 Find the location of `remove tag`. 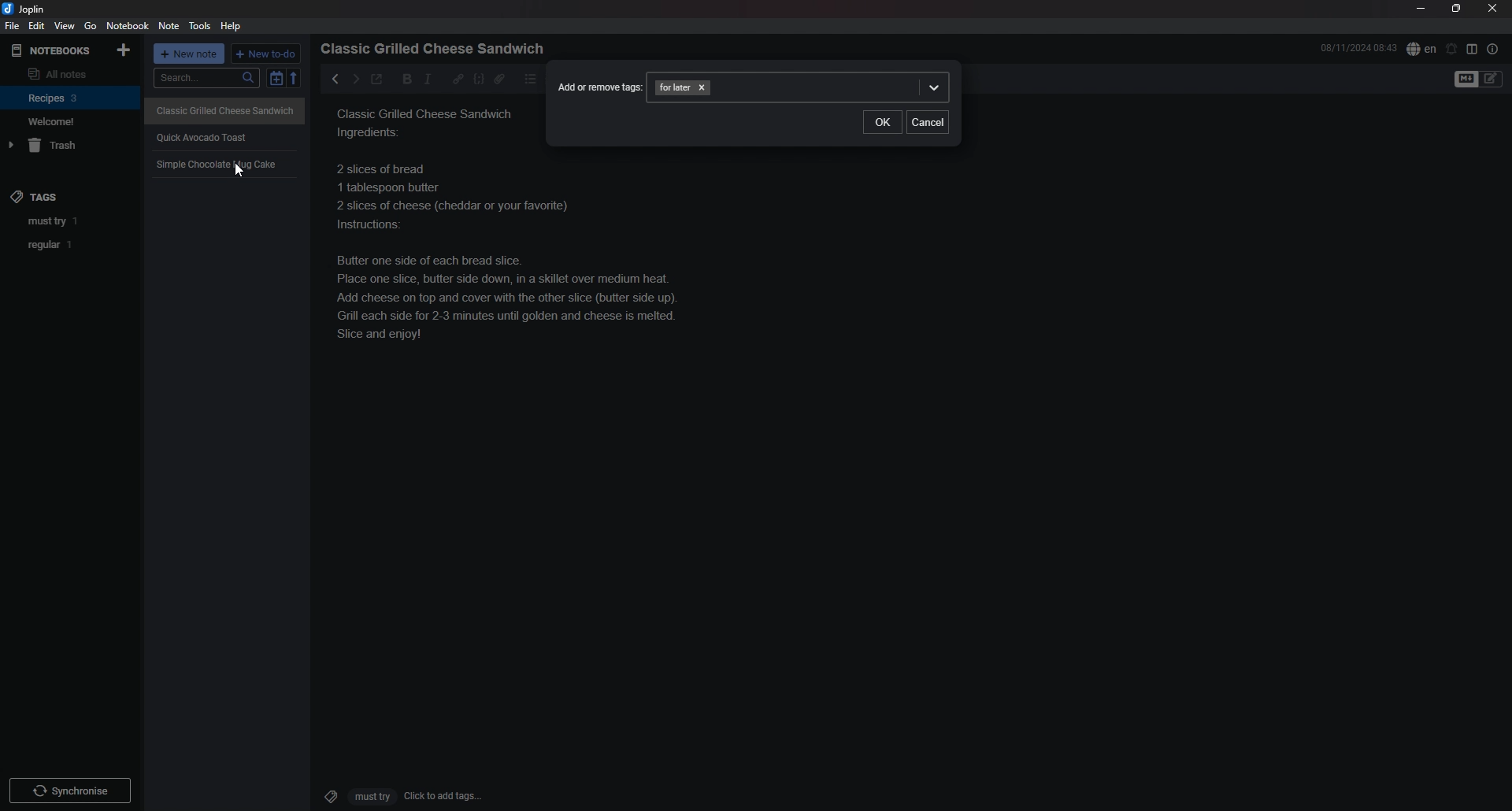

remove tag is located at coordinates (705, 87).